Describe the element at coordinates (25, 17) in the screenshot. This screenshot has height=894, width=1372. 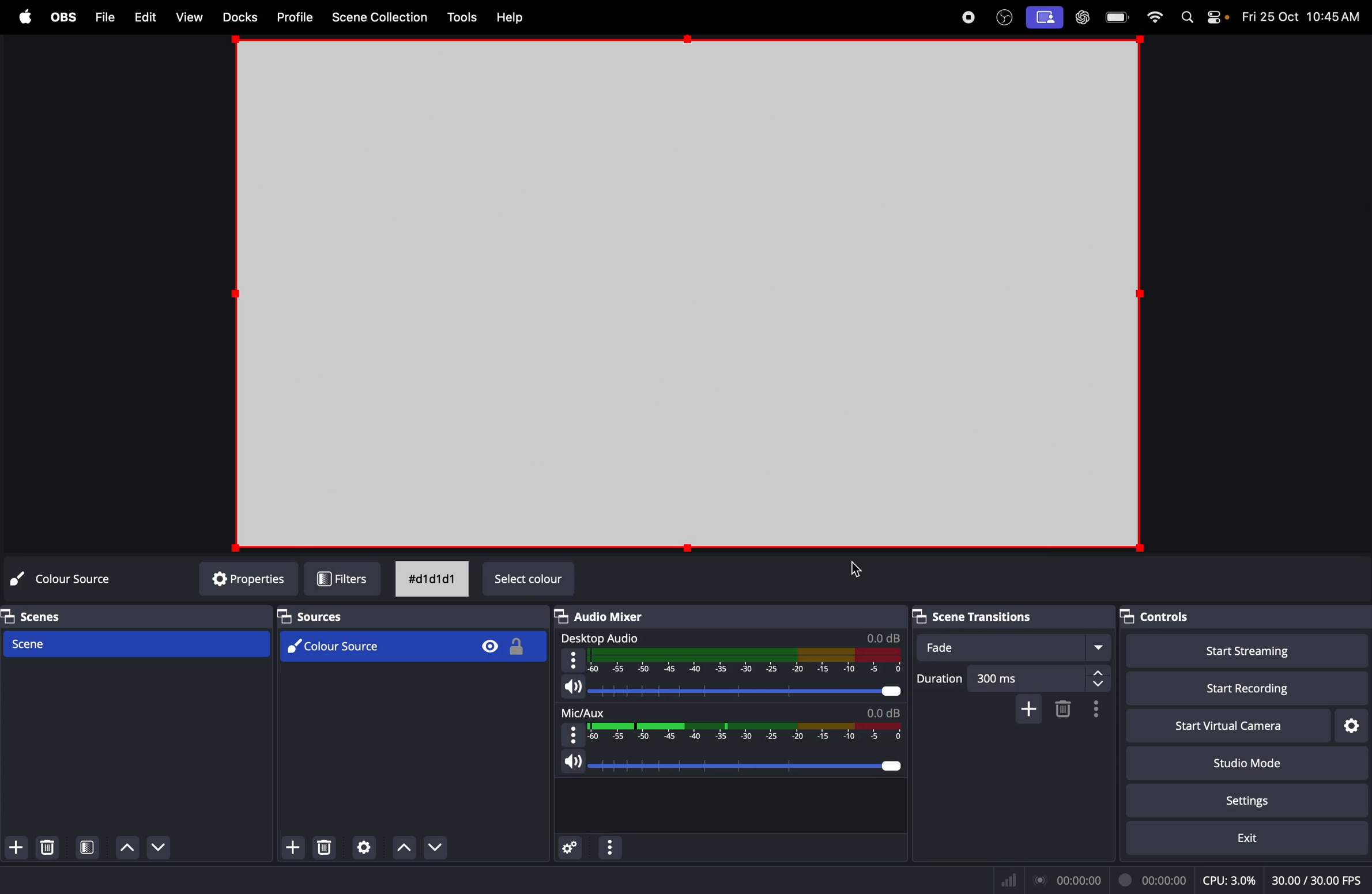
I see `apple menu` at that location.